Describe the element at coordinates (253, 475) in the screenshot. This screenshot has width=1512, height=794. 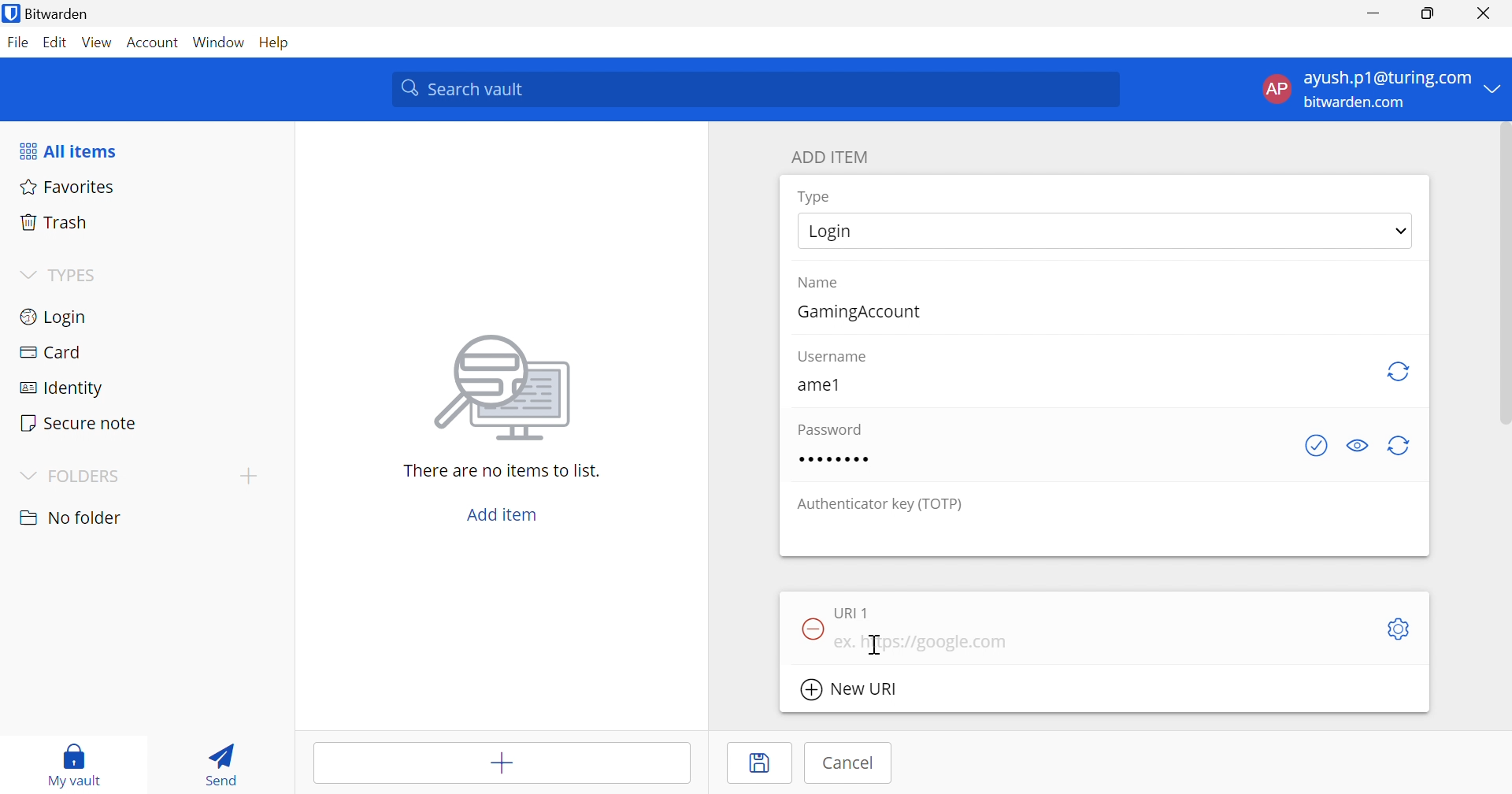
I see `Add folder` at that location.